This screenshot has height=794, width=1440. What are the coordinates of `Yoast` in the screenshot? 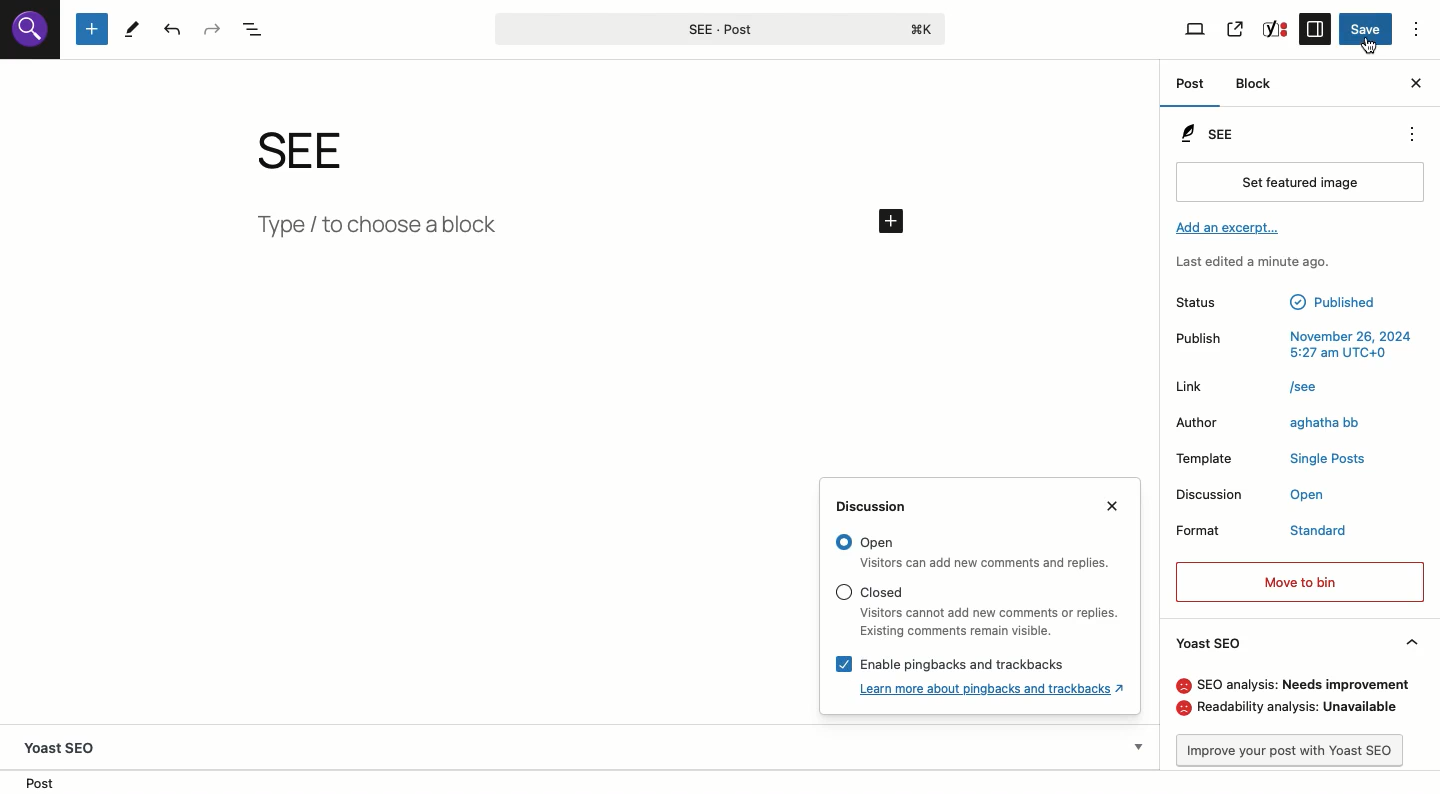 It's located at (1276, 30).